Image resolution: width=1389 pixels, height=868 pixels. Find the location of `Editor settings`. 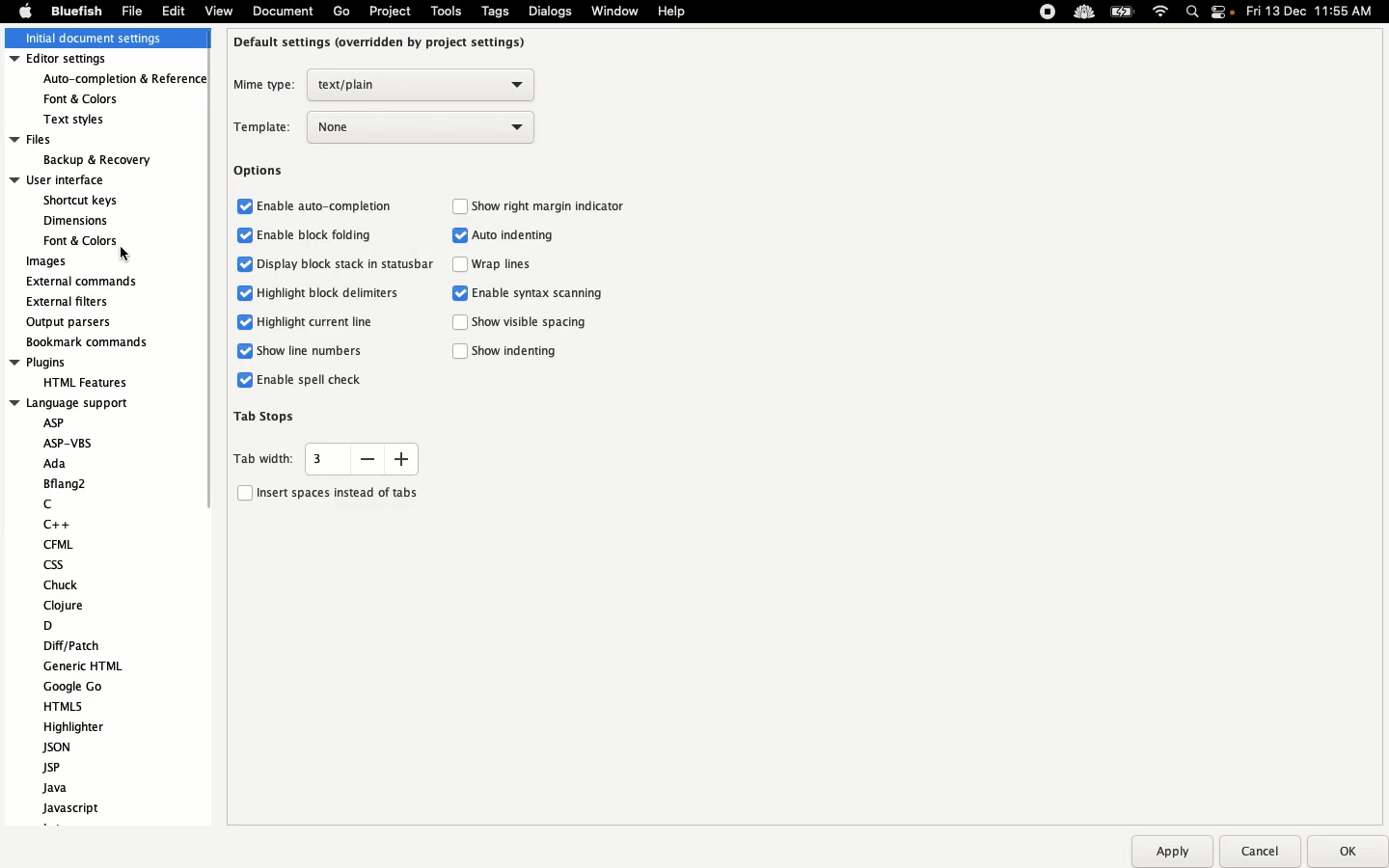

Editor settings is located at coordinates (104, 60).